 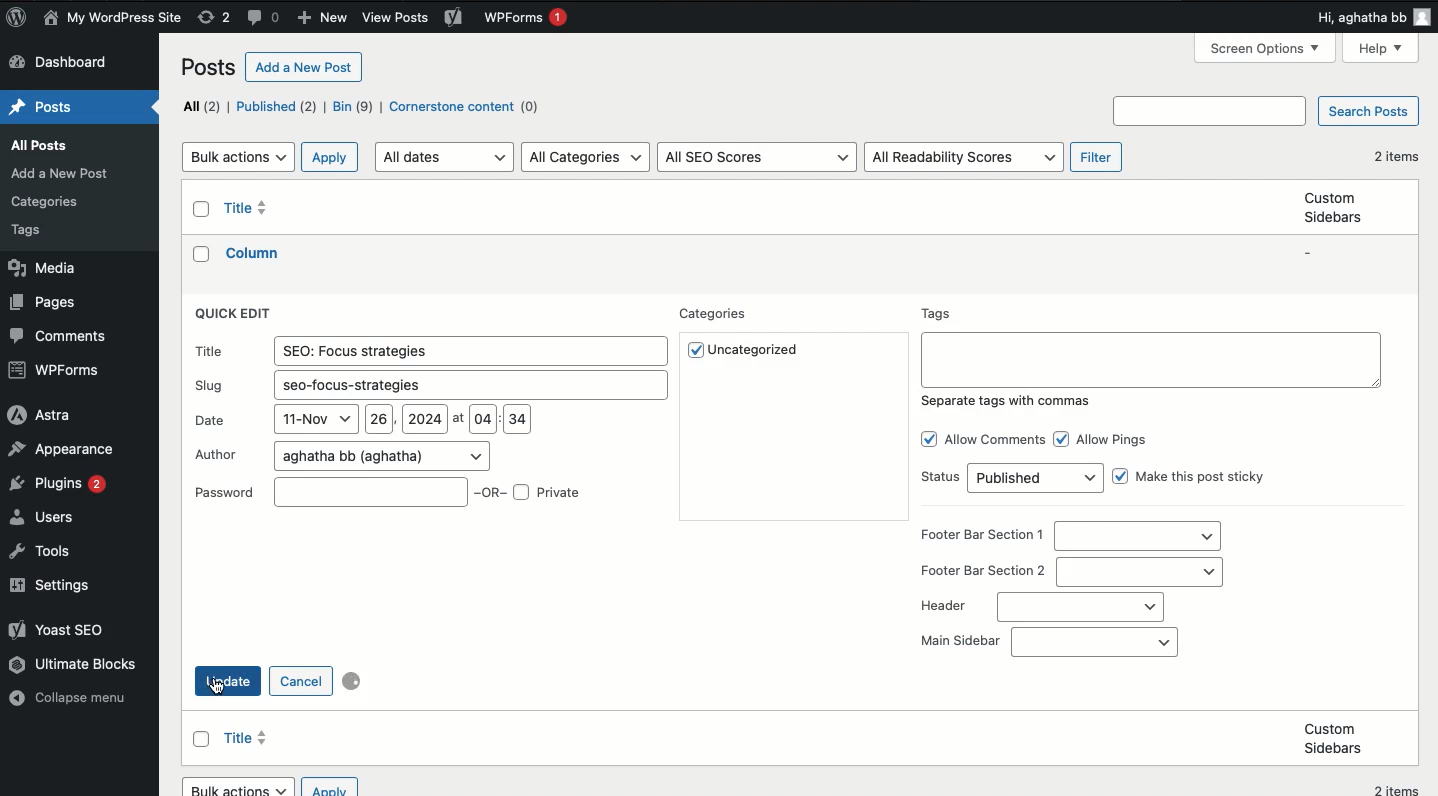 What do you see at coordinates (963, 158) in the screenshot?
I see `All readability scores` at bounding box center [963, 158].